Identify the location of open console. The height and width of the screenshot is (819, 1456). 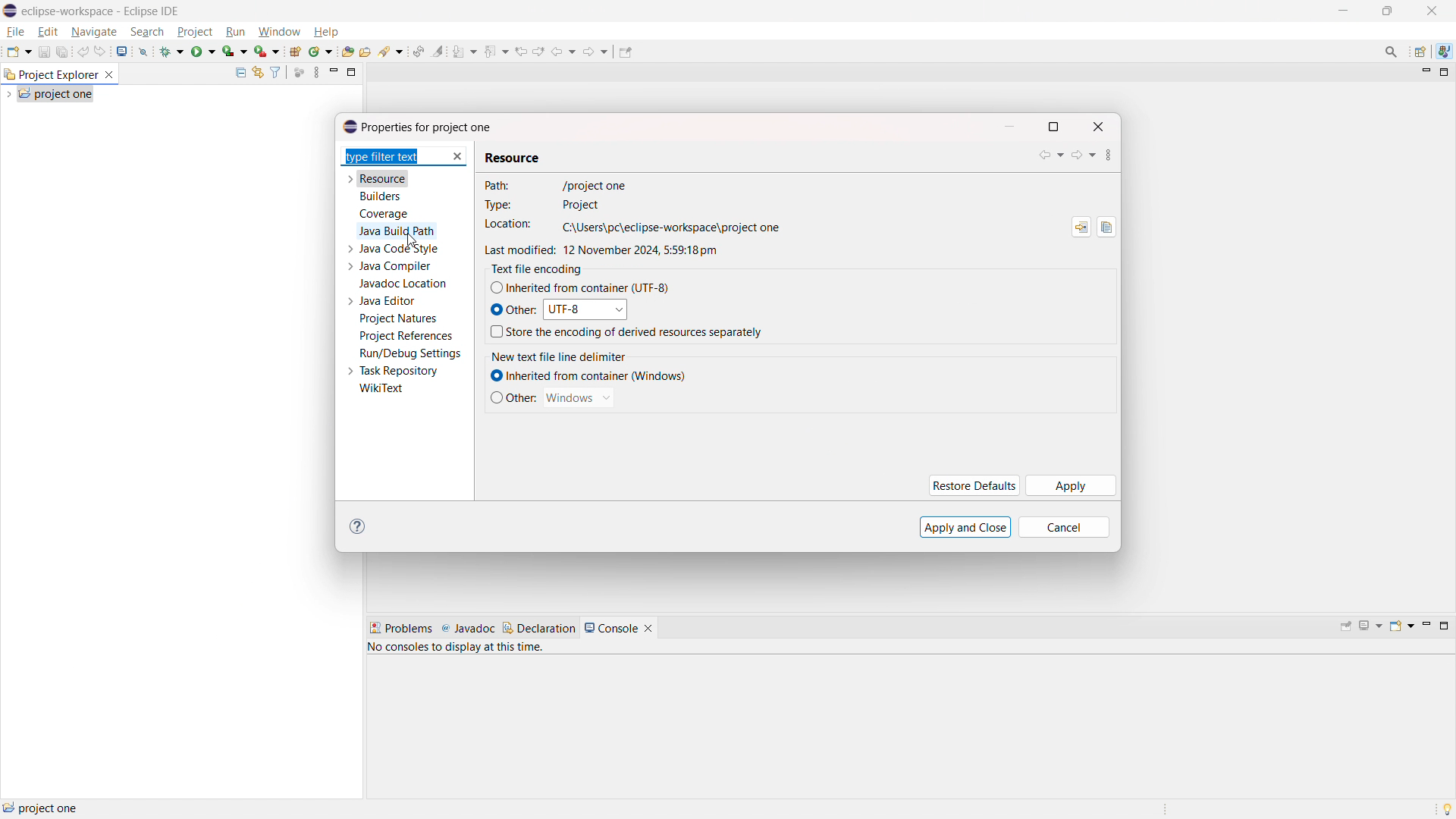
(123, 52).